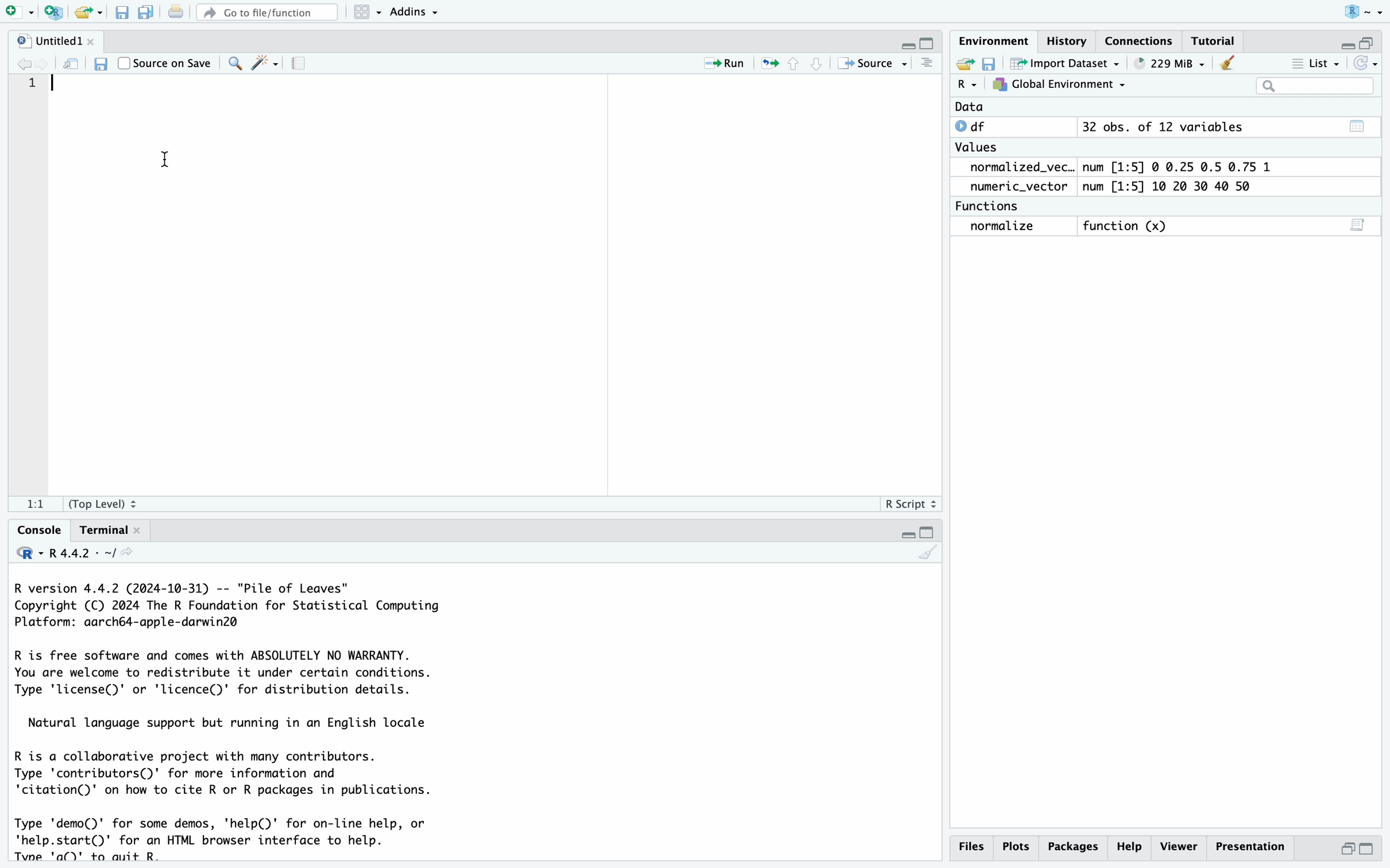 The height and width of the screenshot is (868, 1390). I want to click on find and replace, so click(233, 65).